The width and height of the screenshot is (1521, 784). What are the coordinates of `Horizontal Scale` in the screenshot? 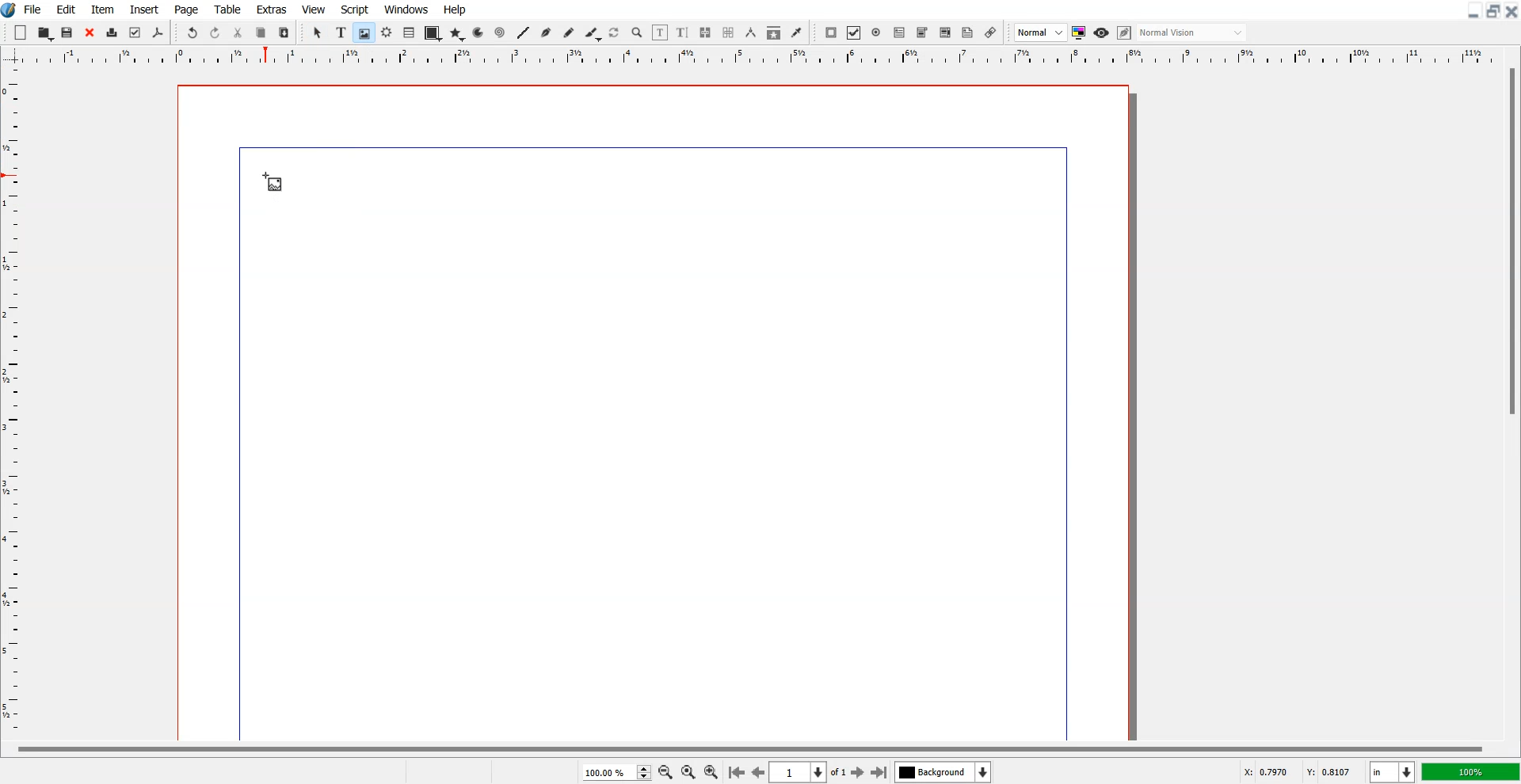 It's located at (15, 403).